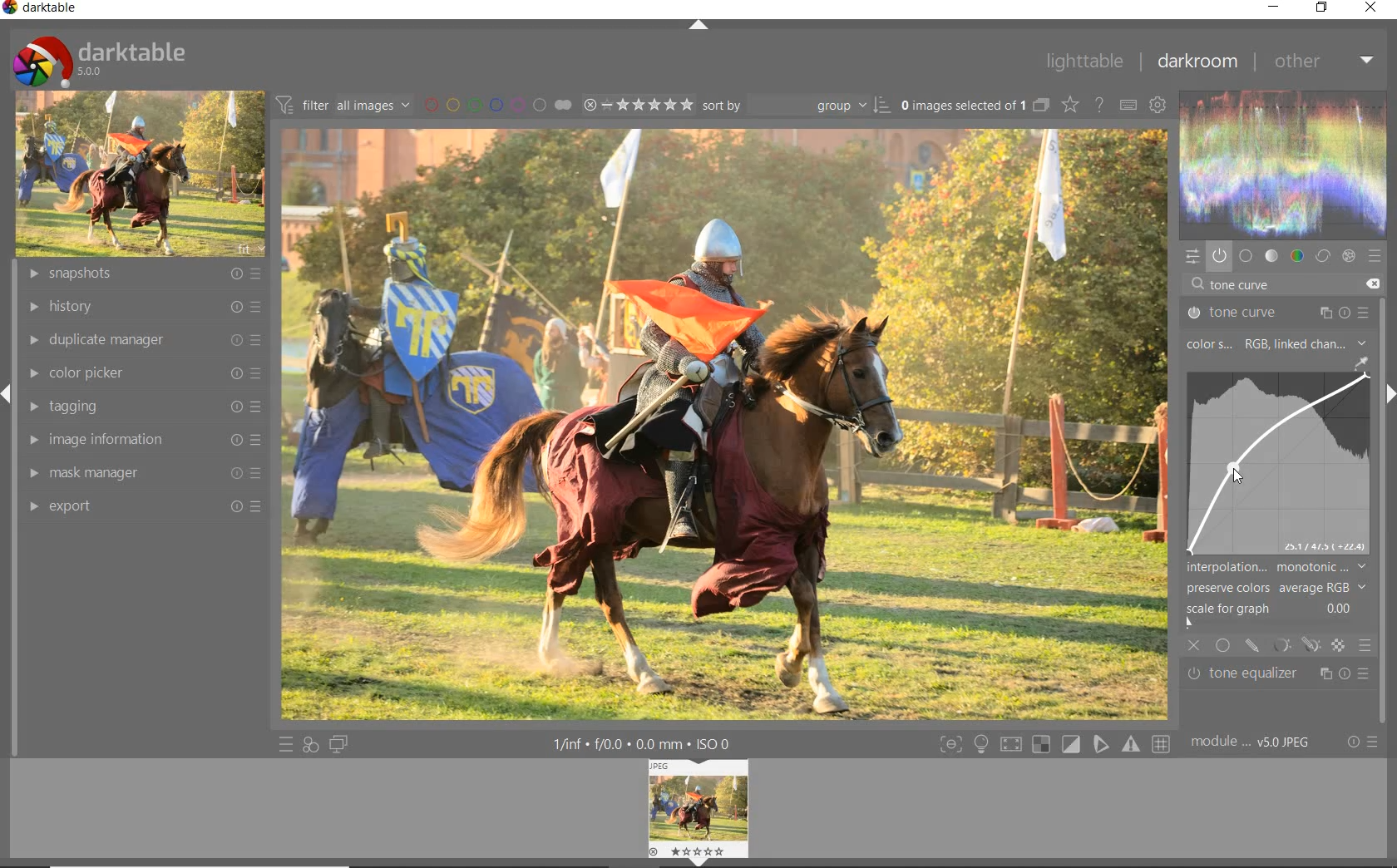 This screenshot has width=1397, height=868. I want to click on preserve colors, so click(1276, 588).